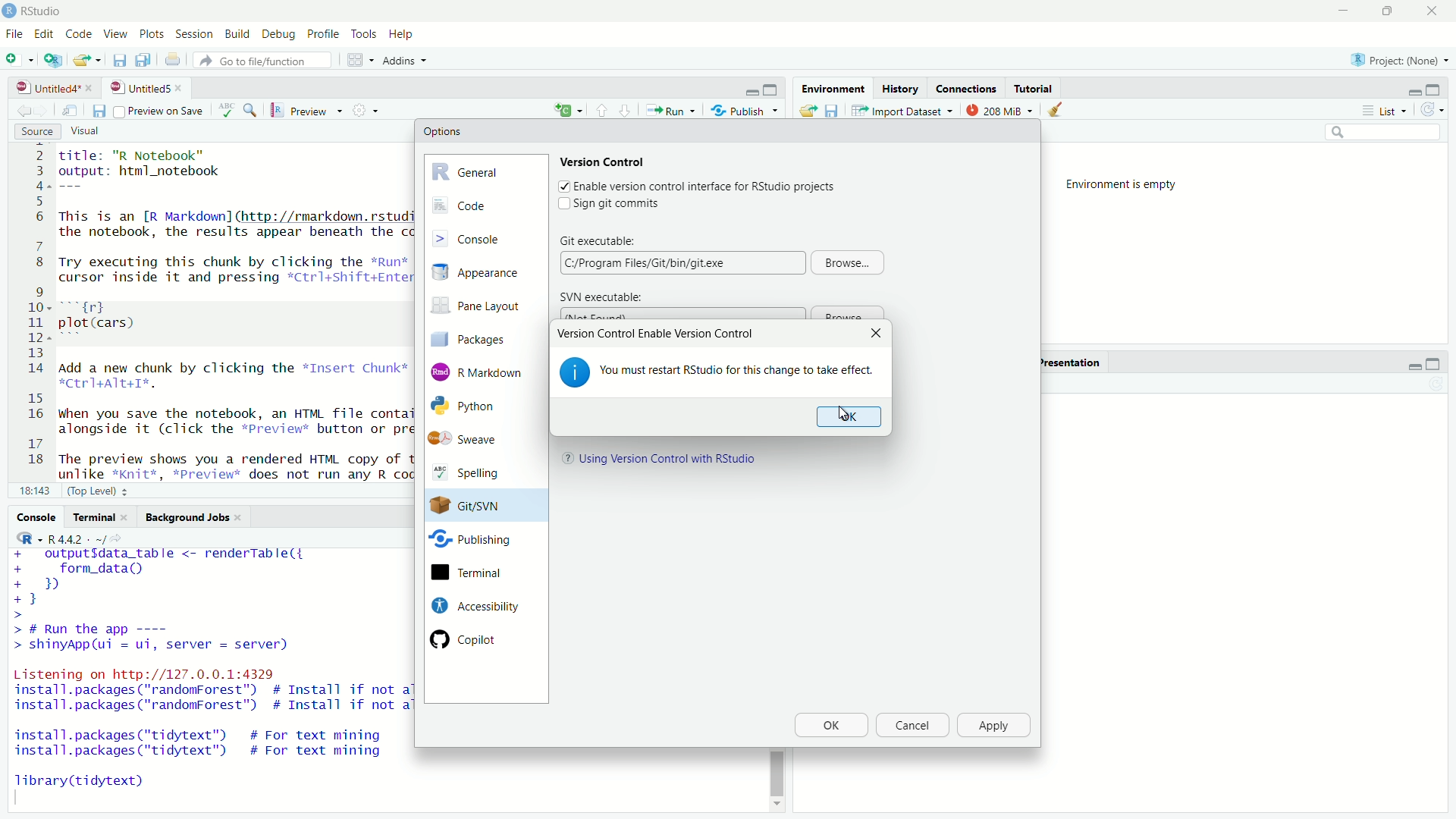  What do you see at coordinates (92, 88) in the screenshot?
I see `close` at bounding box center [92, 88].